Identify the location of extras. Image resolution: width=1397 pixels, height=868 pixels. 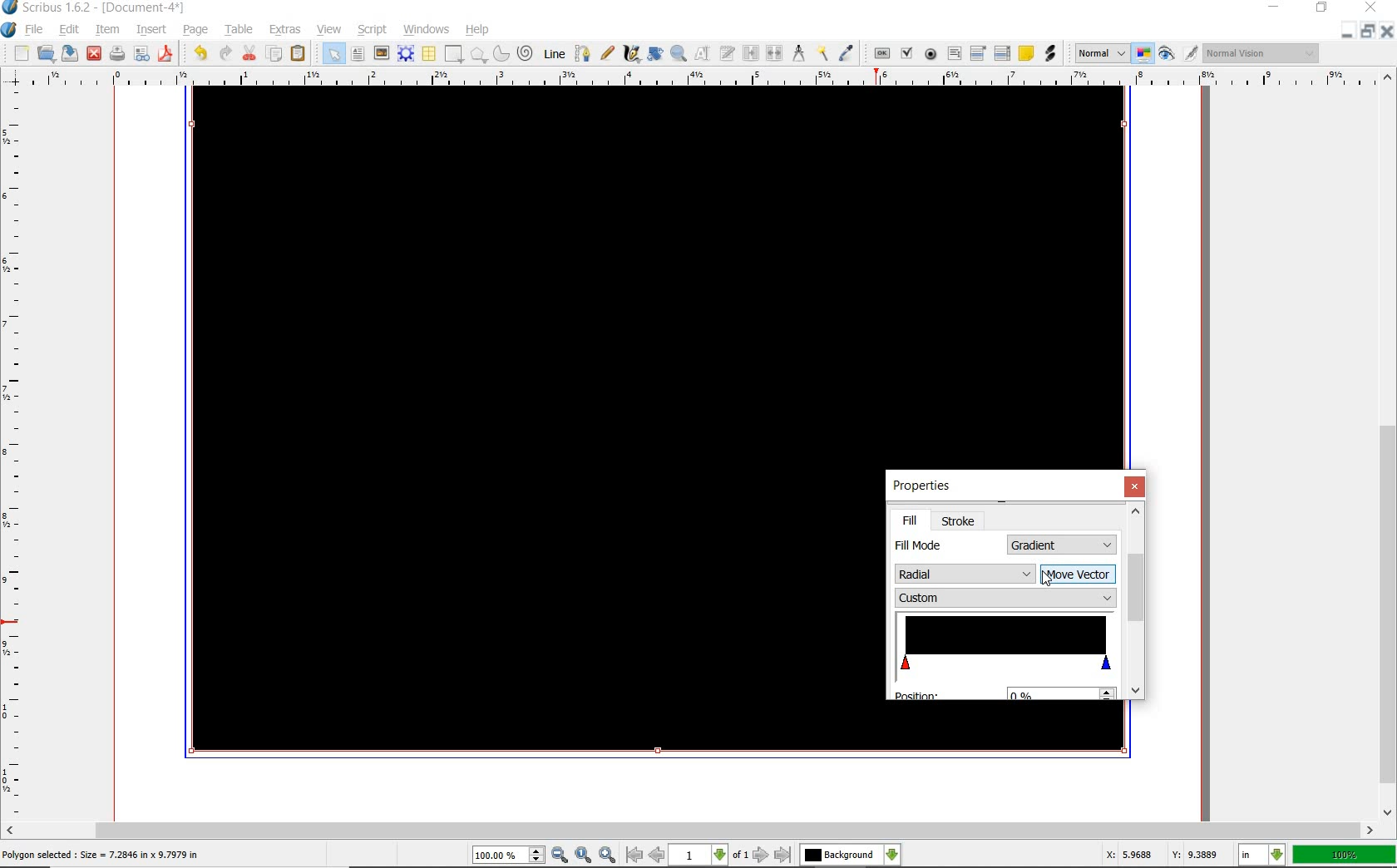
(284, 30).